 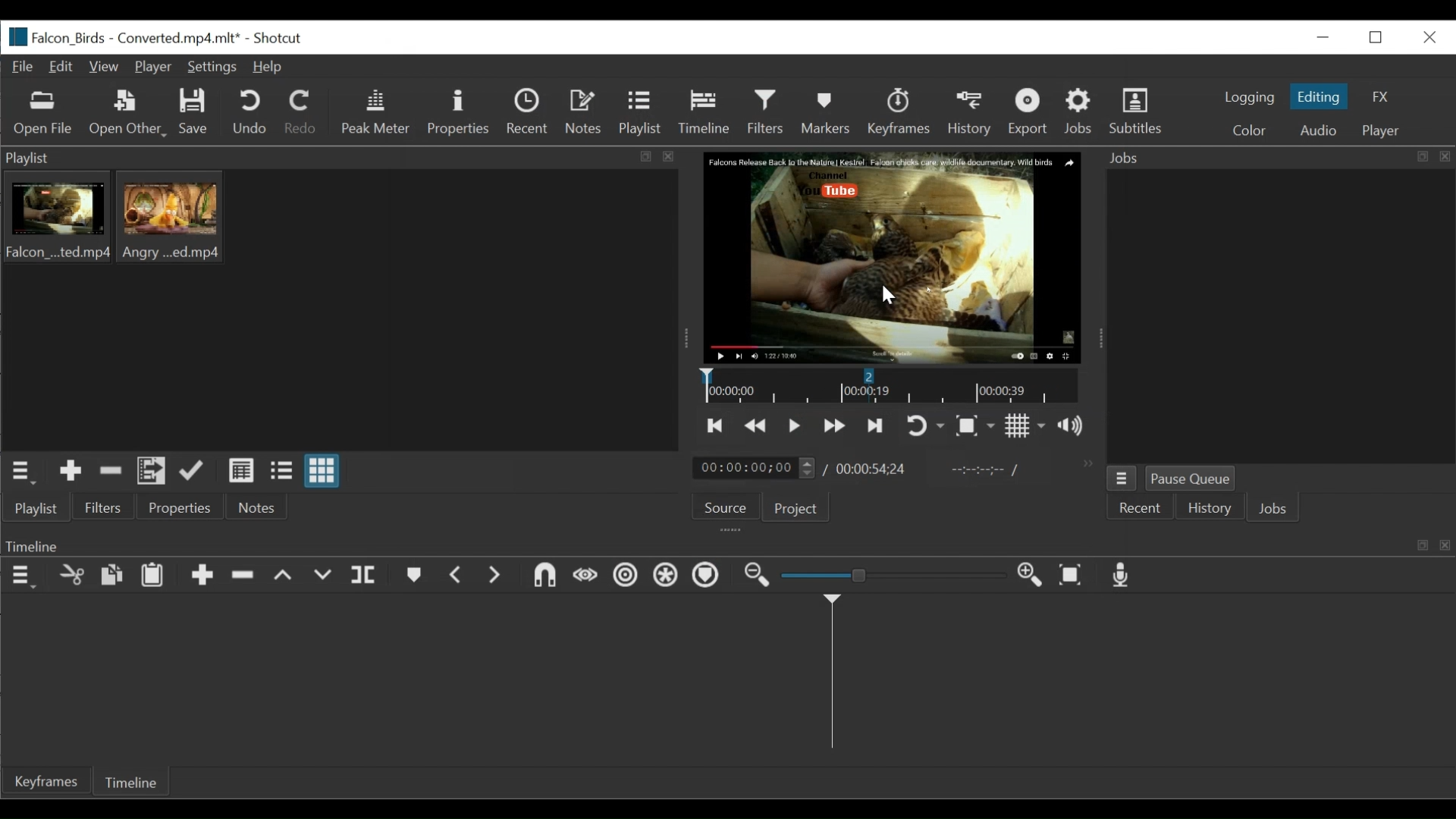 What do you see at coordinates (1070, 576) in the screenshot?
I see `Zoom timeline to fit` at bounding box center [1070, 576].